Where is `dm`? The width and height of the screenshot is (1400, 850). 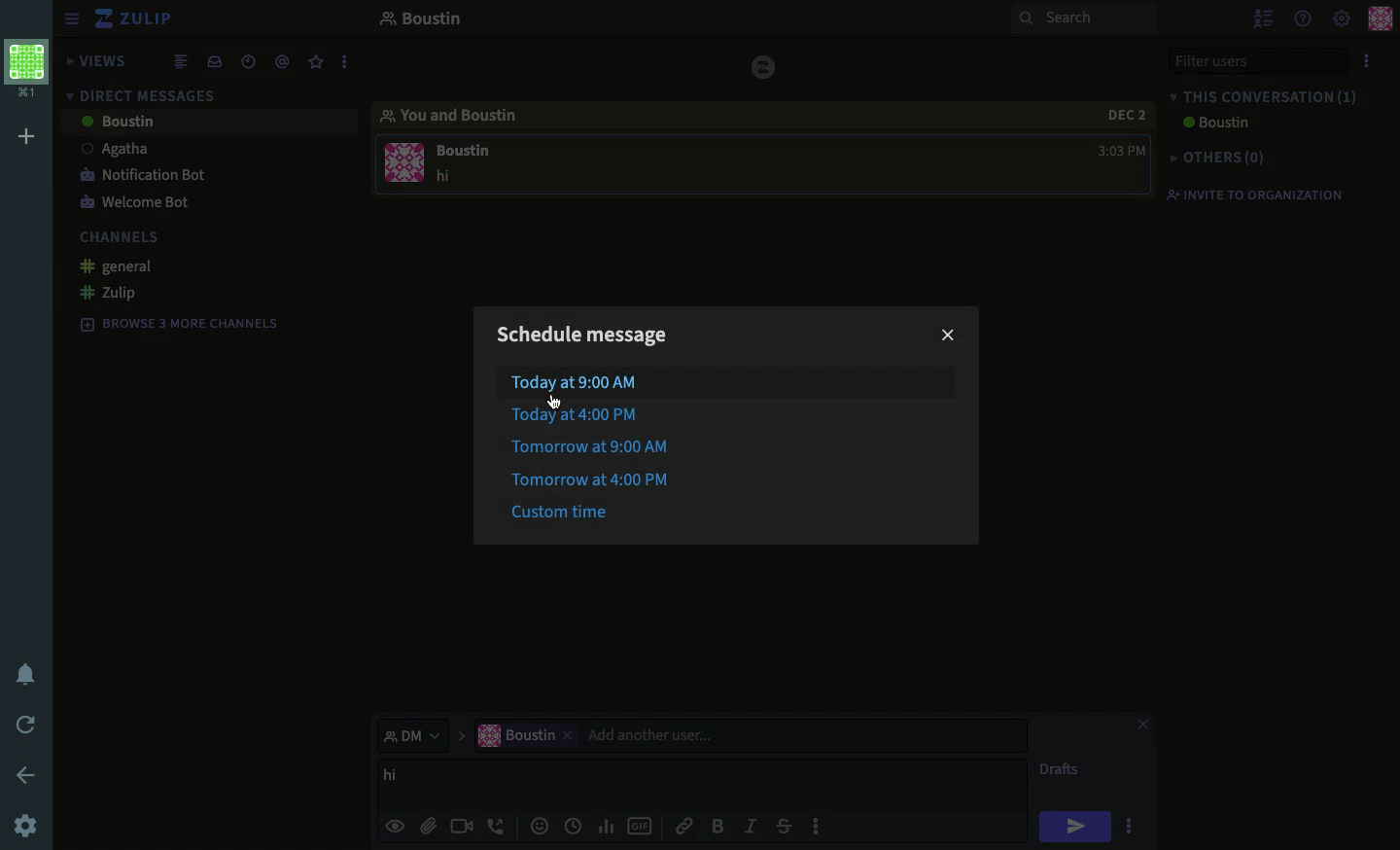
dm is located at coordinates (420, 735).